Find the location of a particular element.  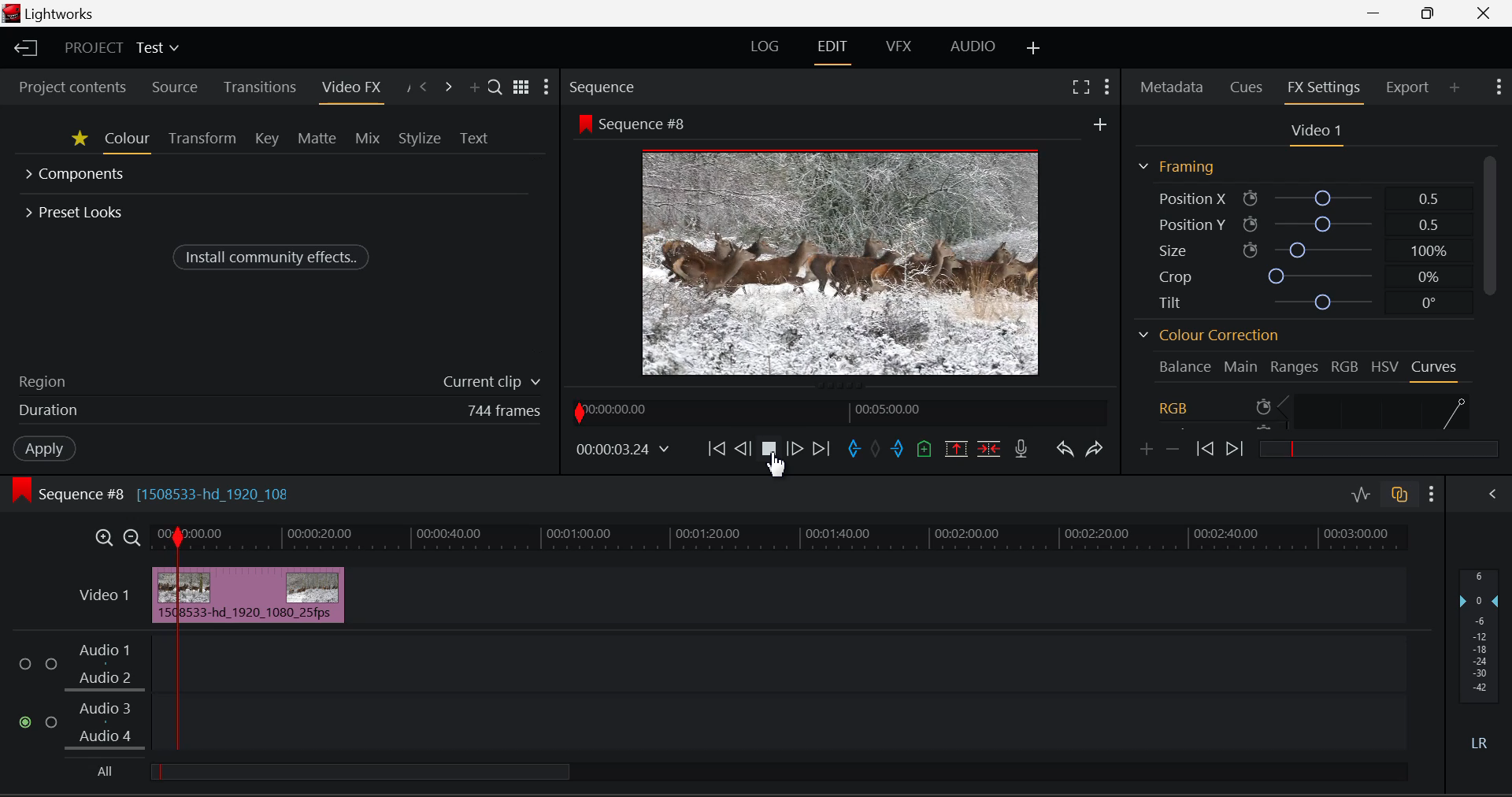

Project contents is located at coordinates (72, 87).